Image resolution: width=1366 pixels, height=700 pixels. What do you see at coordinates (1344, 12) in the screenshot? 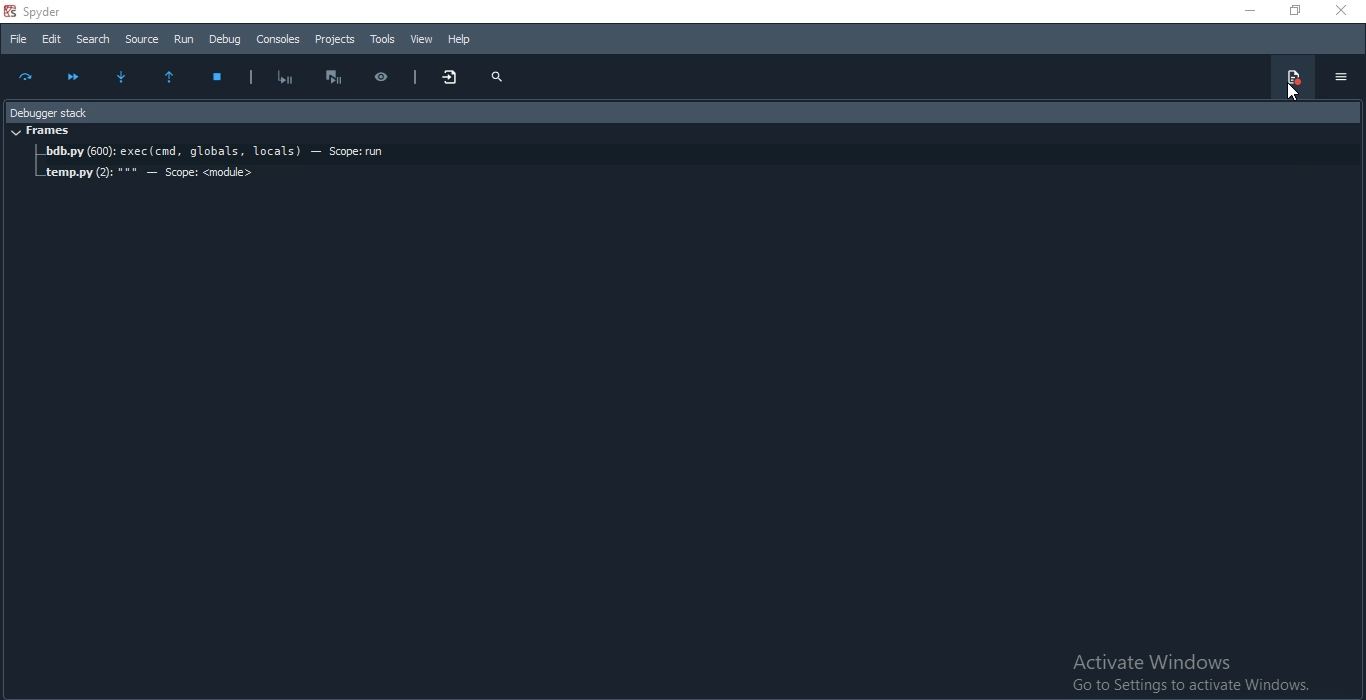
I see `close` at bounding box center [1344, 12].